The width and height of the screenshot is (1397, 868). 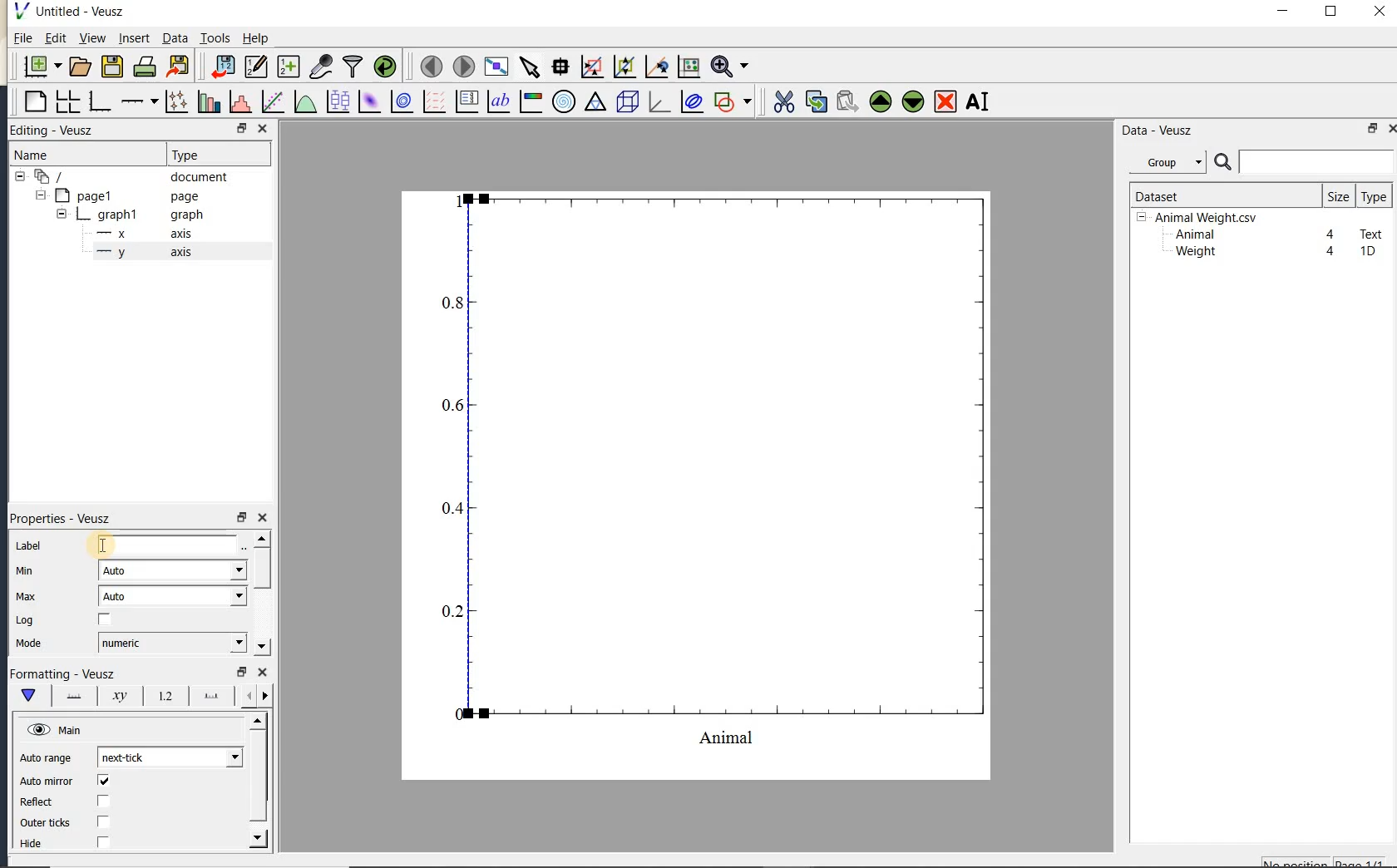 What do you see at coordinates (657, 67) in the screenshot?
I see `click to recenter graph axes` at bounding box center [657, 67].